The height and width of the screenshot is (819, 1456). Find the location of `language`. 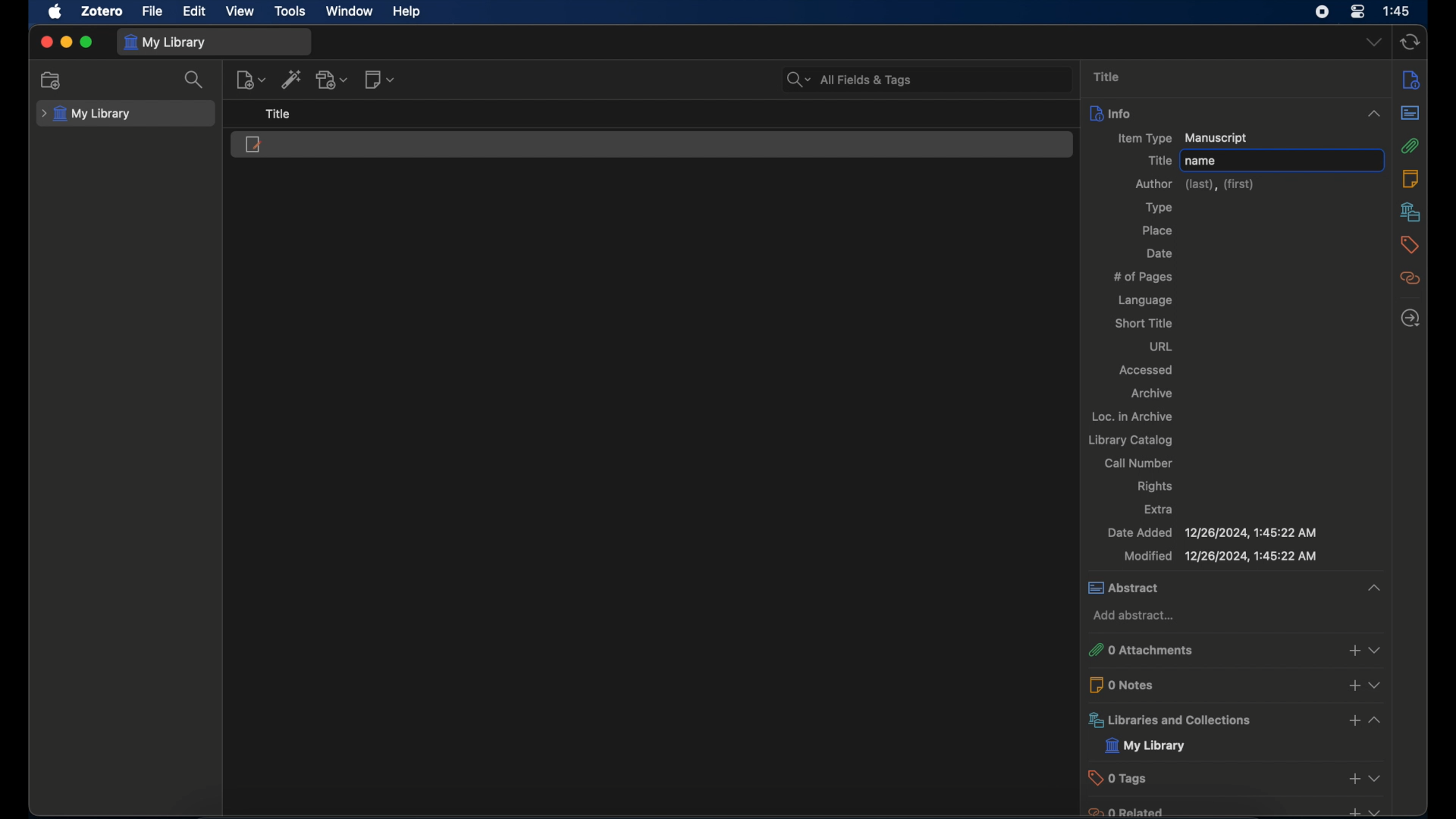

language is located at coordinates (1146, 300).